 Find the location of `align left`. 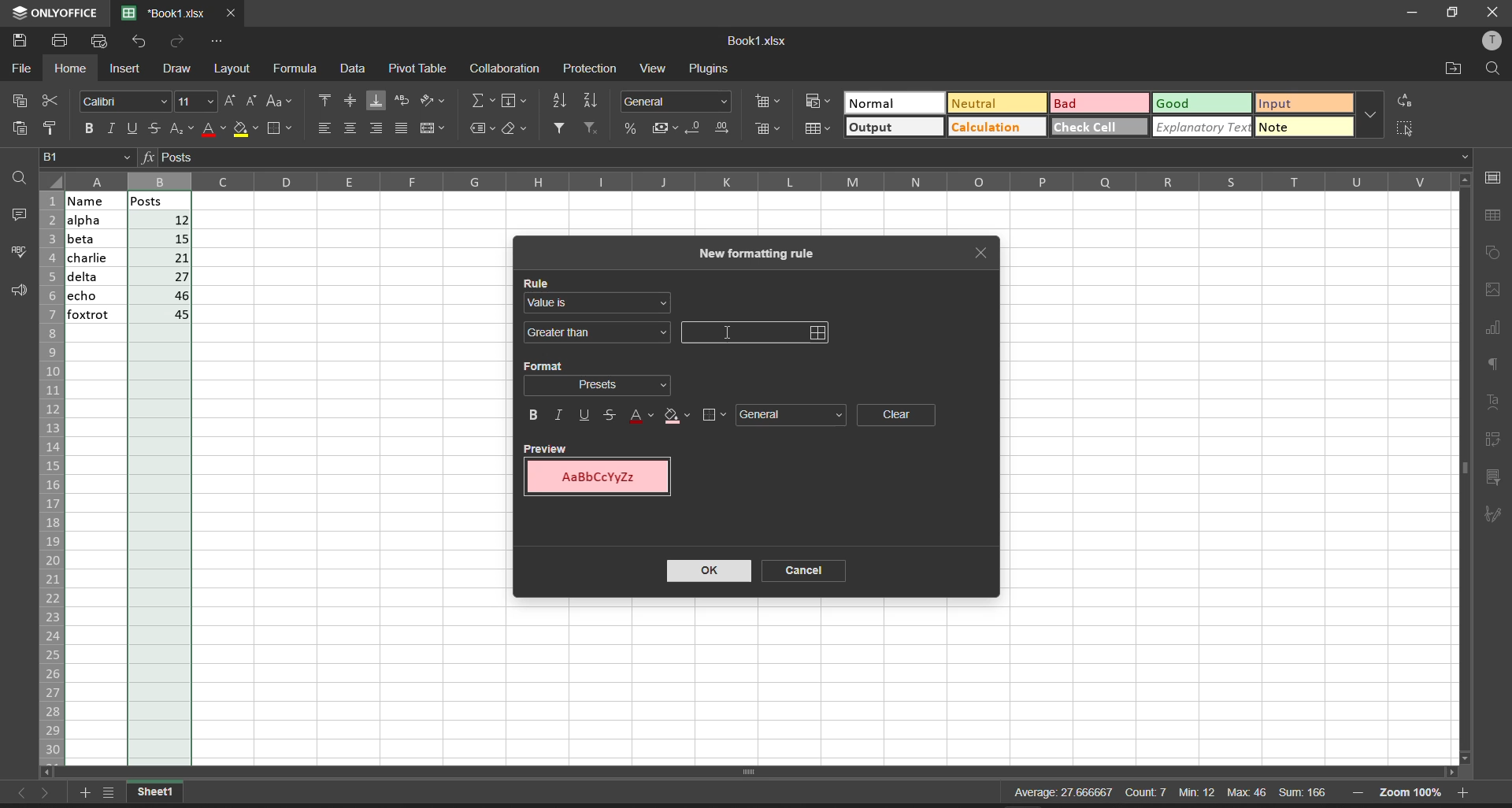

align left is located at coordinates (322, 127).